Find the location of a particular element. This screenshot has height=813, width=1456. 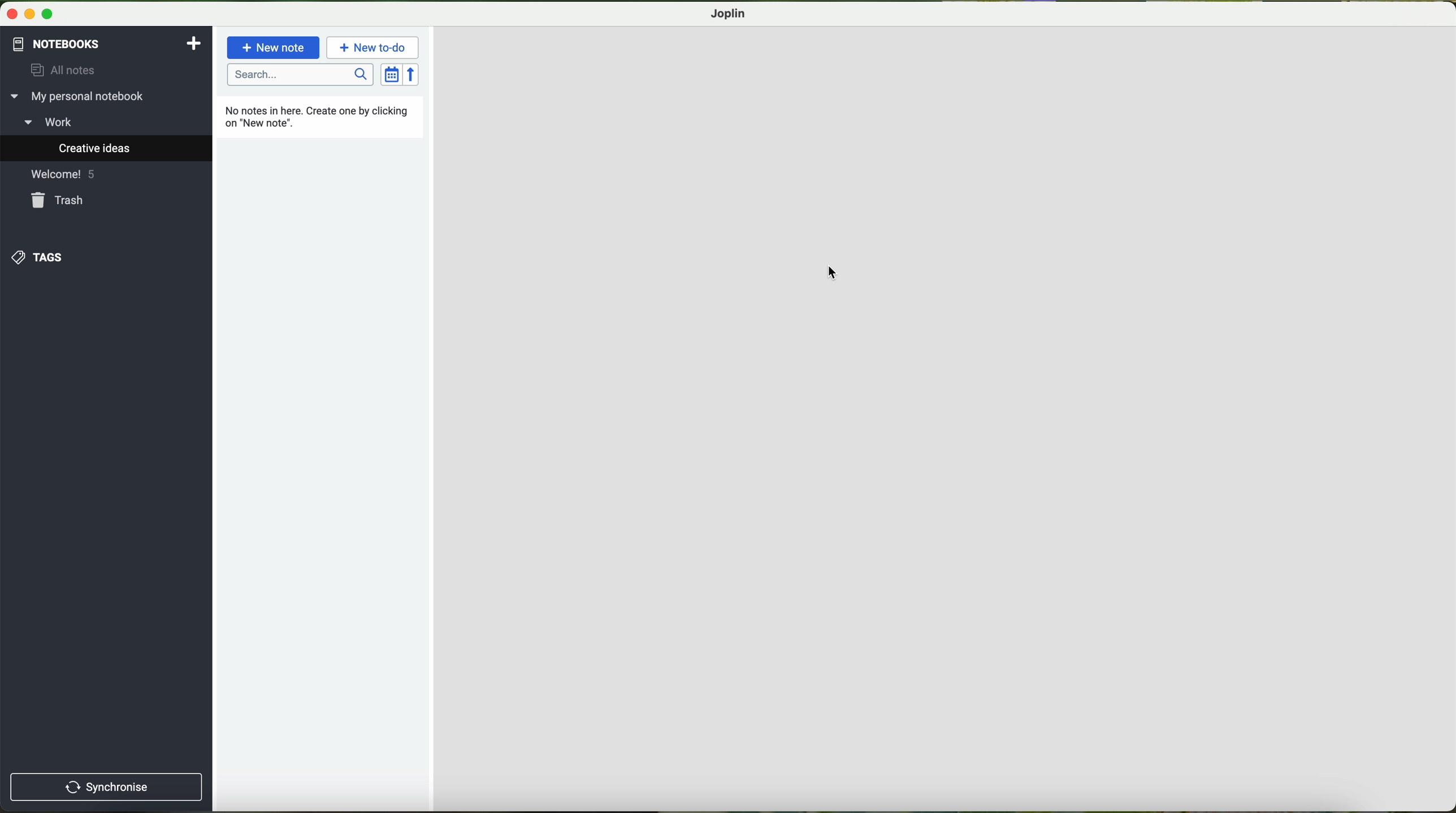

tags is located at coordinates (40, 257).